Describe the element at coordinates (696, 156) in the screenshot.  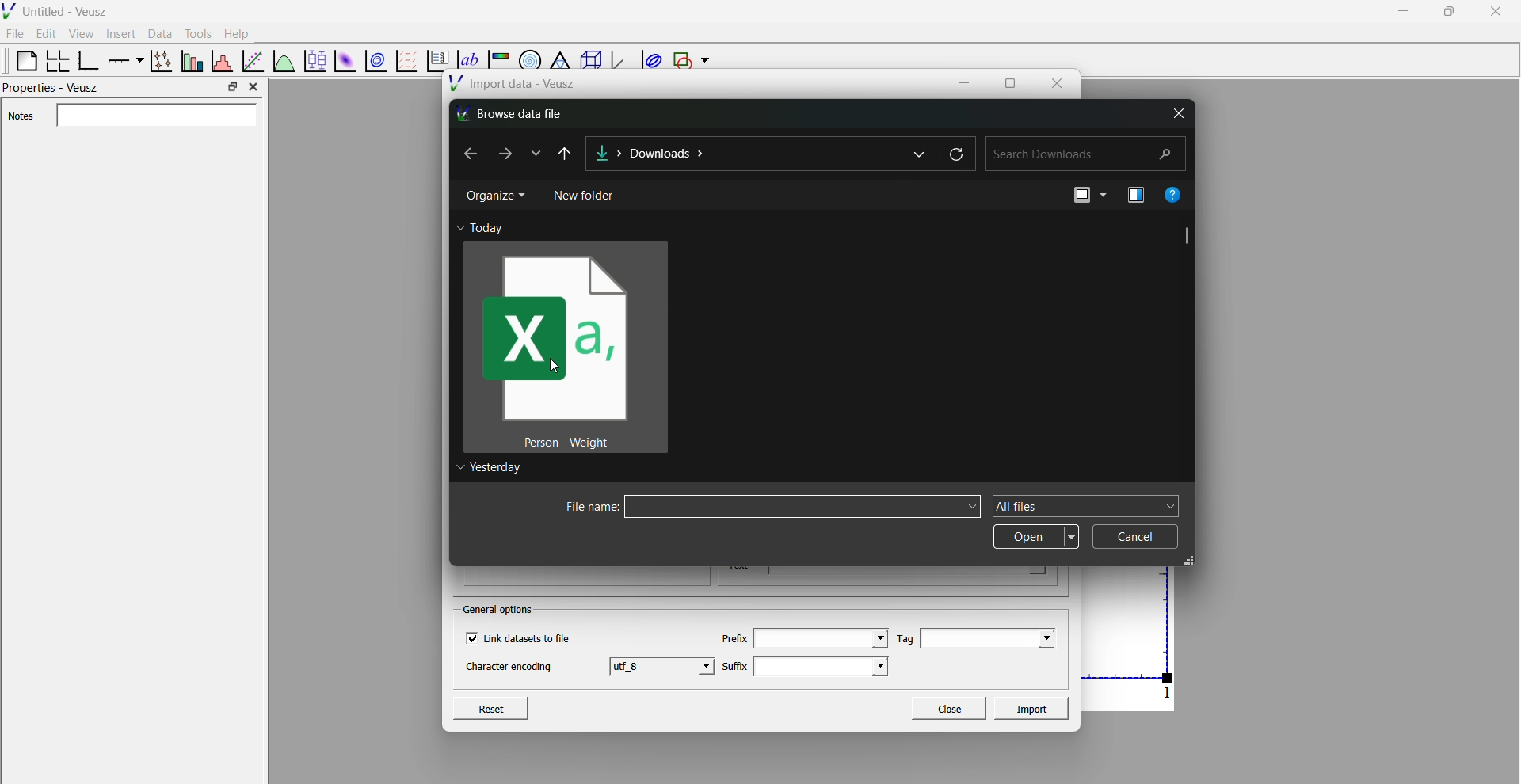
I see `> Downloads »` at that location.